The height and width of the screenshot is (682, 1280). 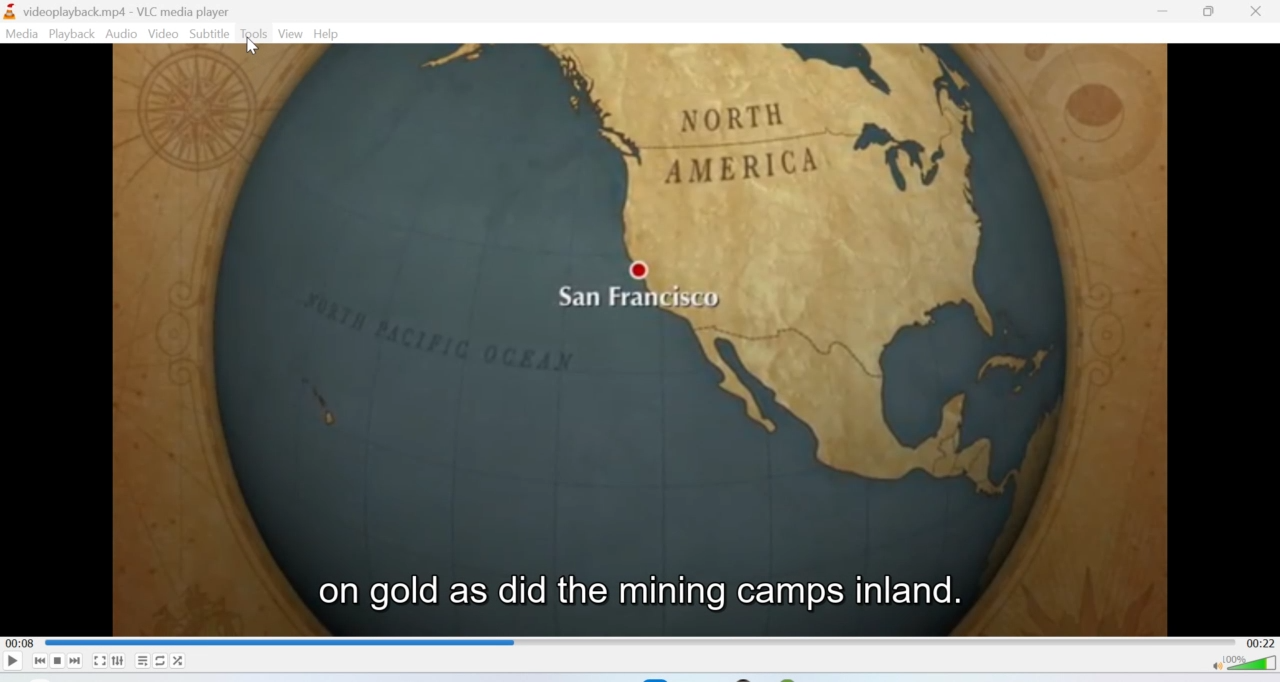 What do you see at coordinates (20, 644) in the screenshot?
I see `00:08` at bounding box center [20, 644].